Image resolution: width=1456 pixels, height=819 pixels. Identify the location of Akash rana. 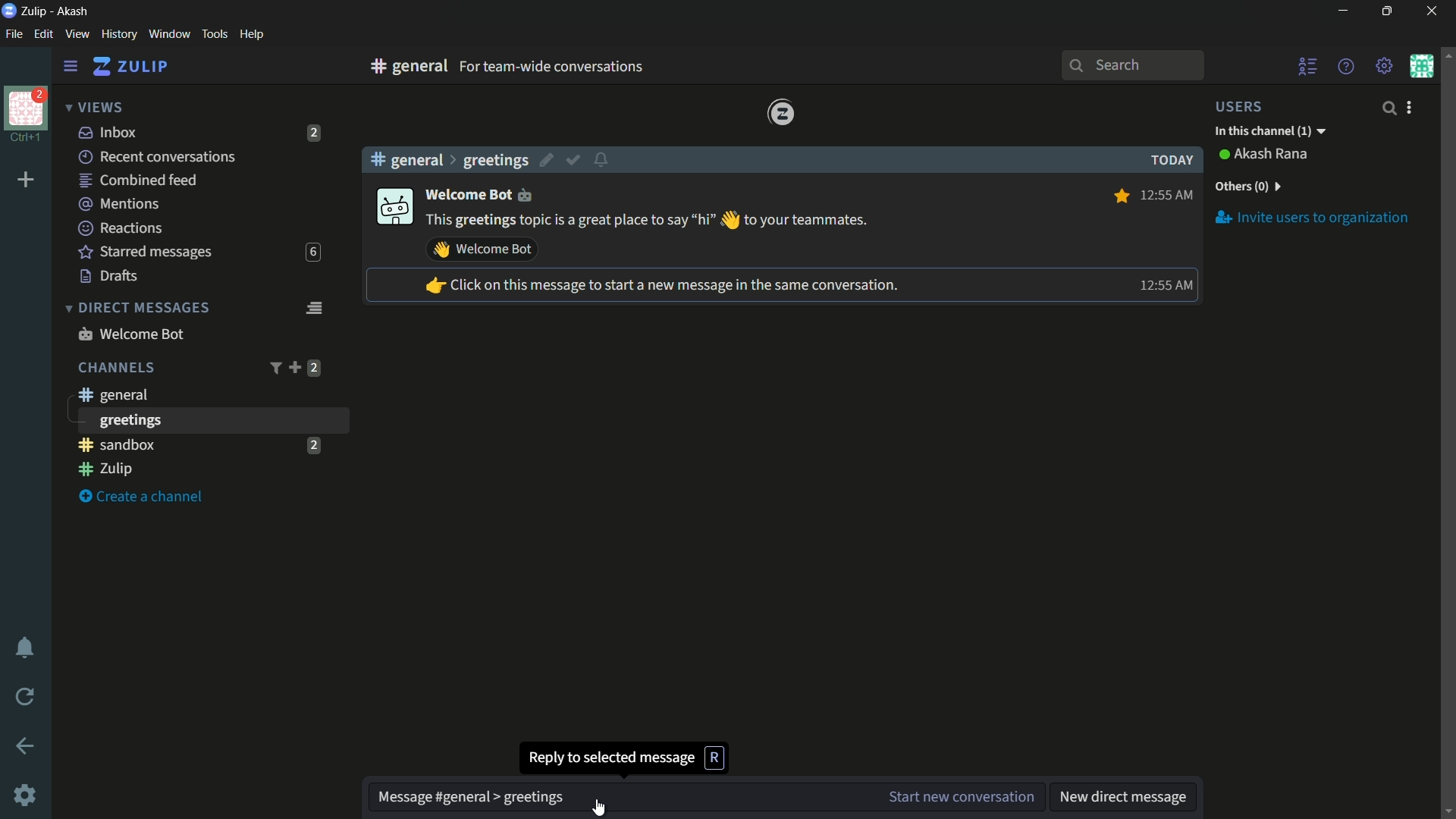
(1272, 155).